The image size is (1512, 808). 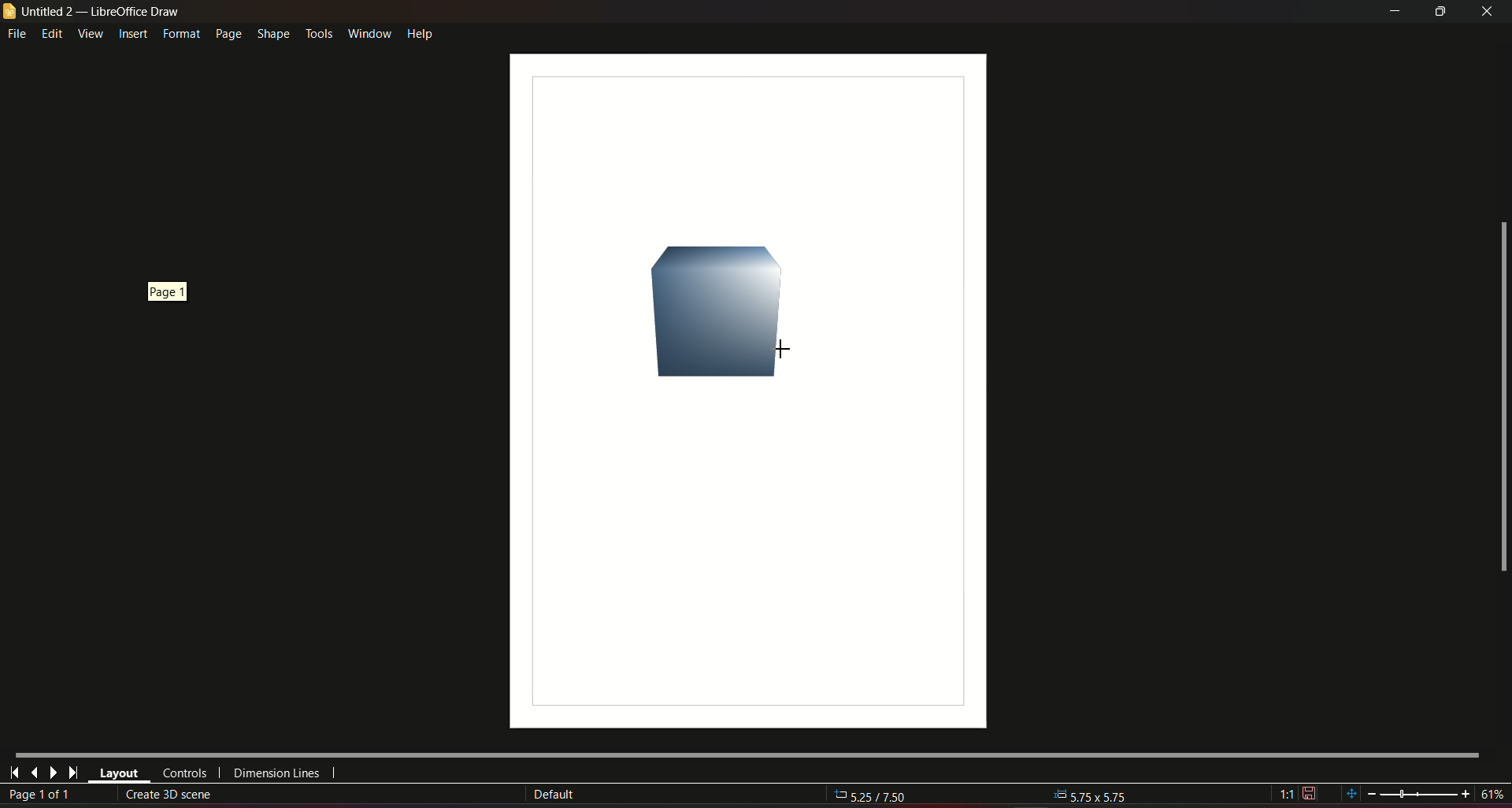 What do you see at coordinates (277, 776) in the screenshot?
I see `dimension lines` at bounding box center [277, 776].